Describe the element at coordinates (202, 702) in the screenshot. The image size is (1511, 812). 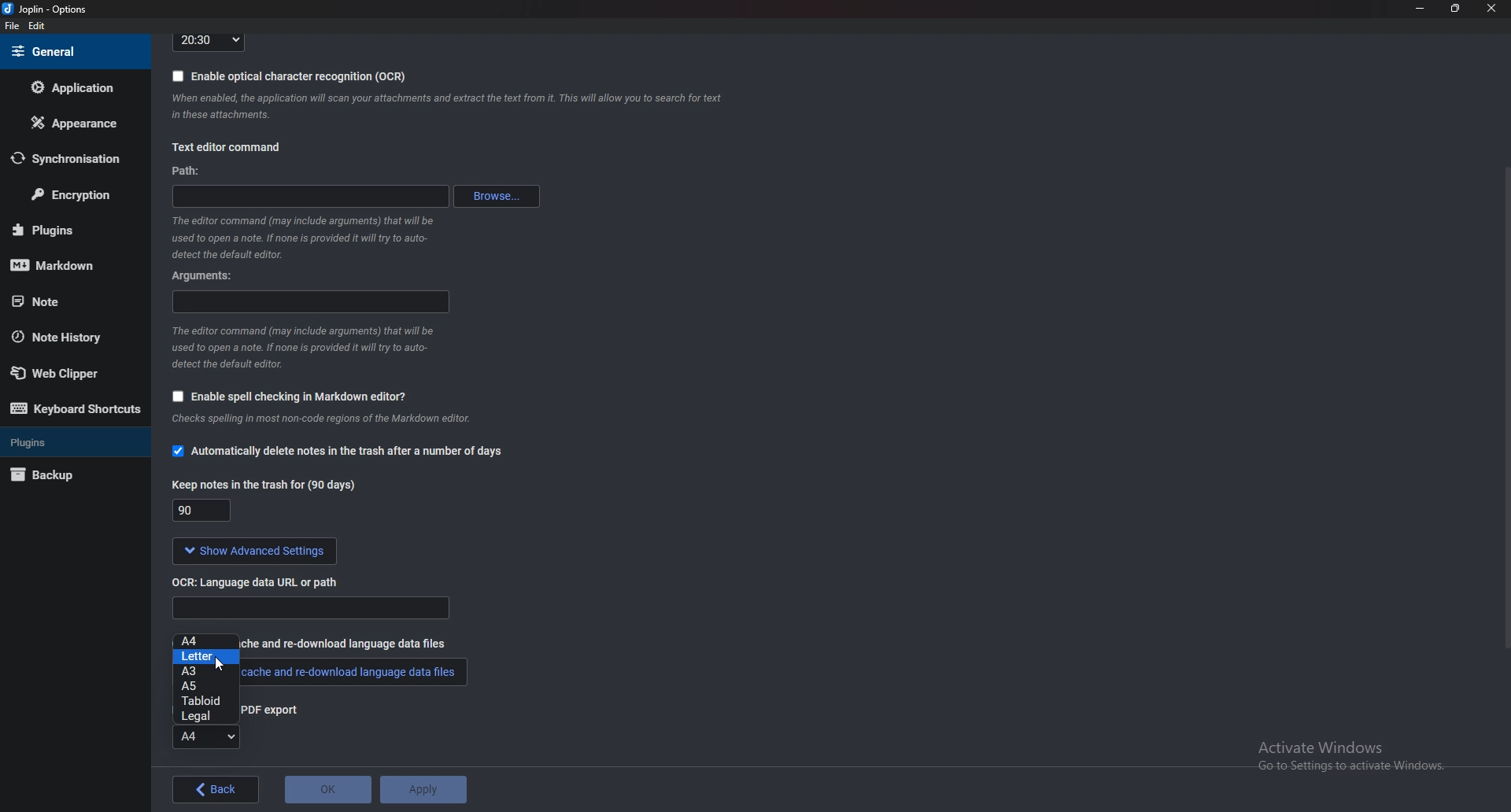
I see `tabloid` at that location.